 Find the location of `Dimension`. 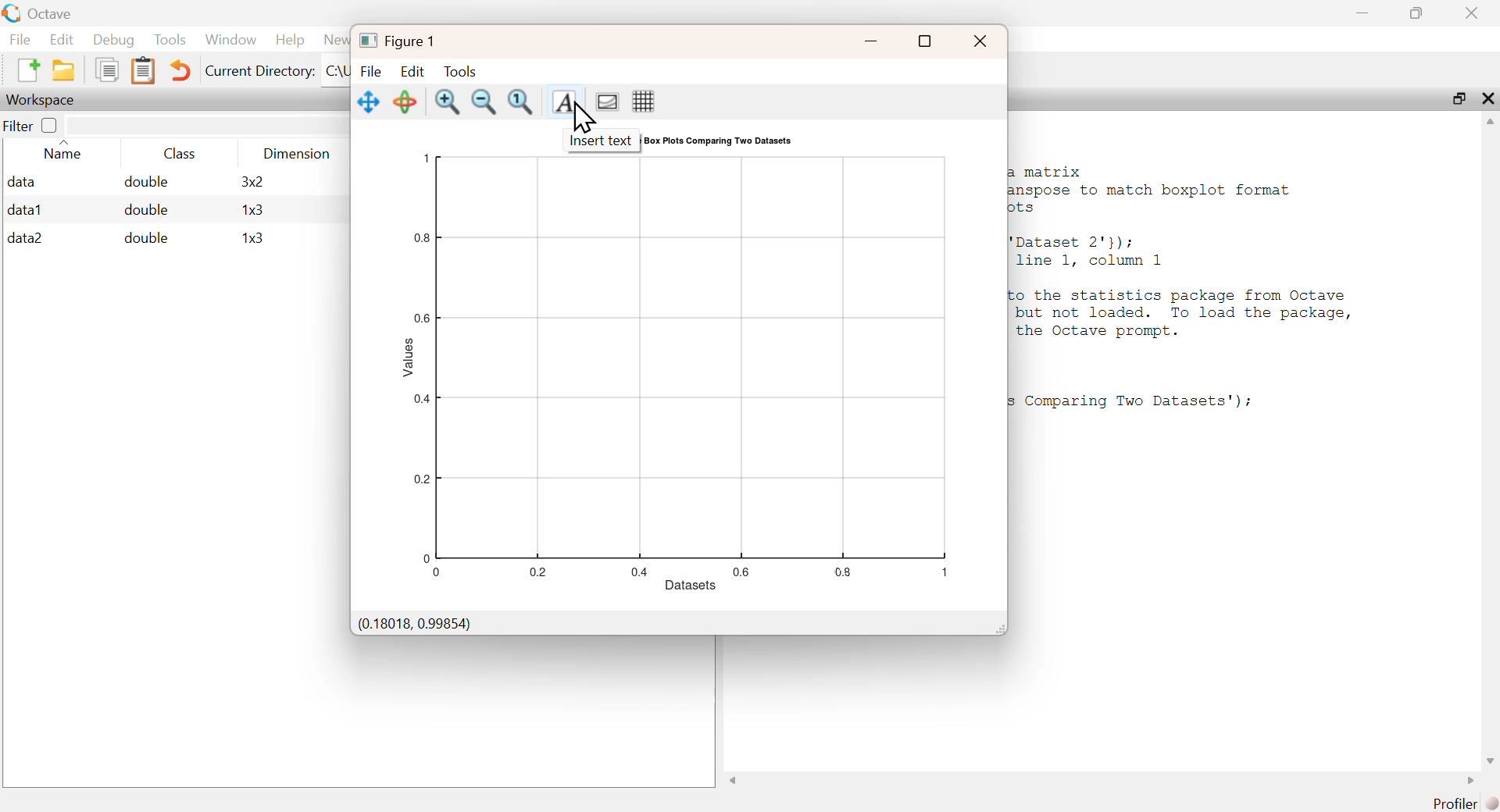

Dimension is located at coordinates (297, 154).